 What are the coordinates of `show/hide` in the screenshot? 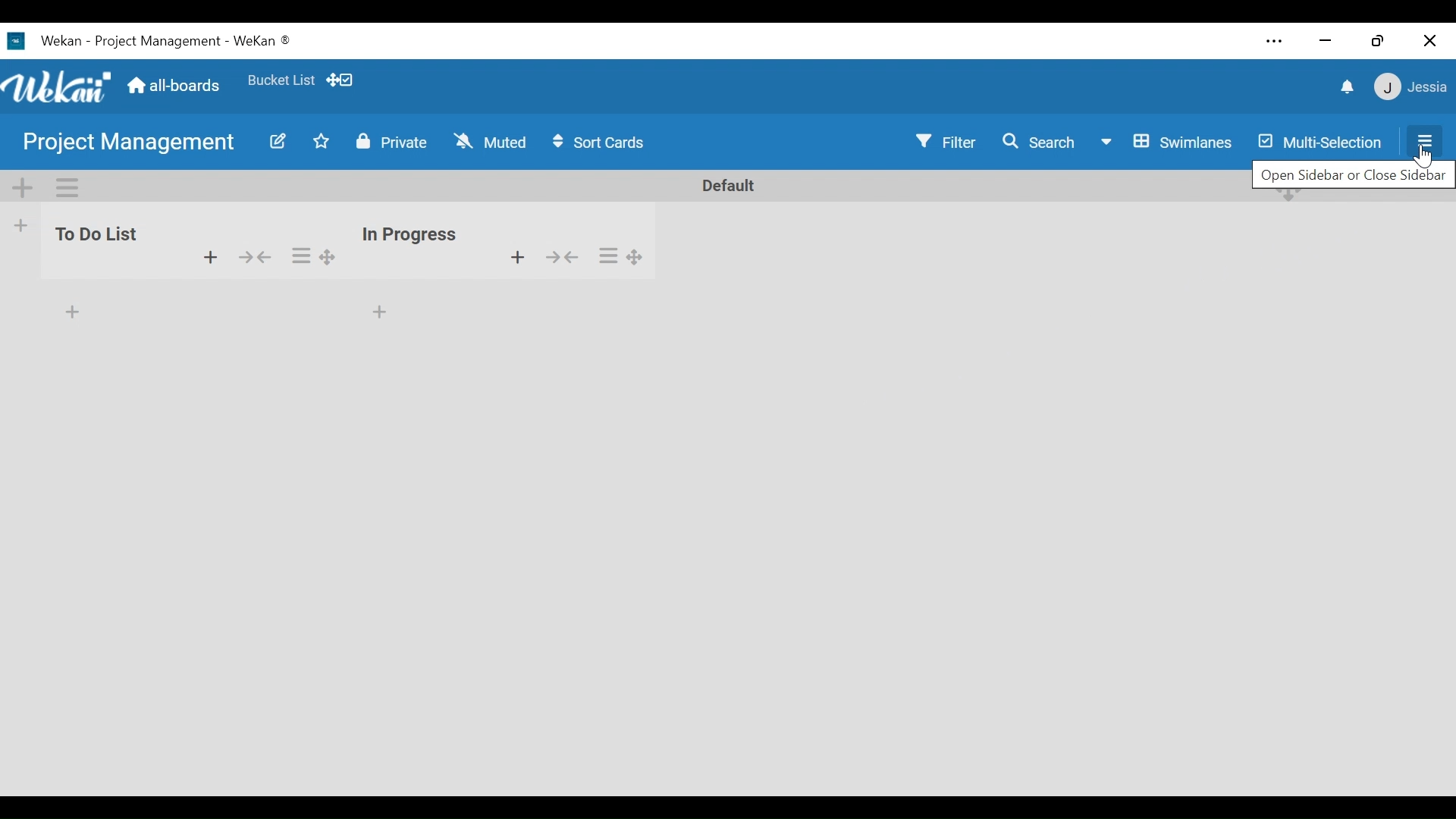 It's located at (570, 260).